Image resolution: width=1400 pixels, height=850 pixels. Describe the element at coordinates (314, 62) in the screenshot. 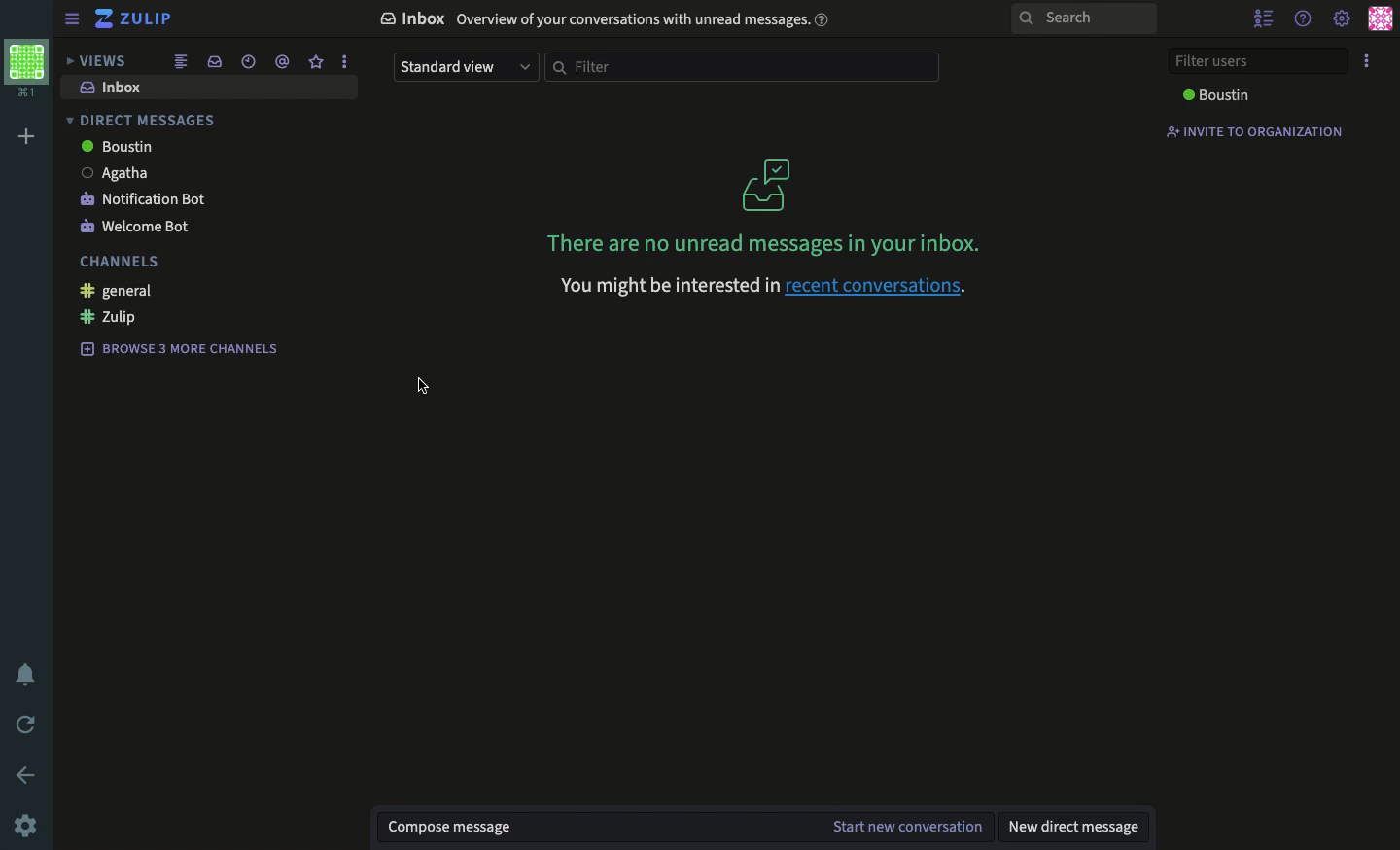

I see `favorite` at that location.